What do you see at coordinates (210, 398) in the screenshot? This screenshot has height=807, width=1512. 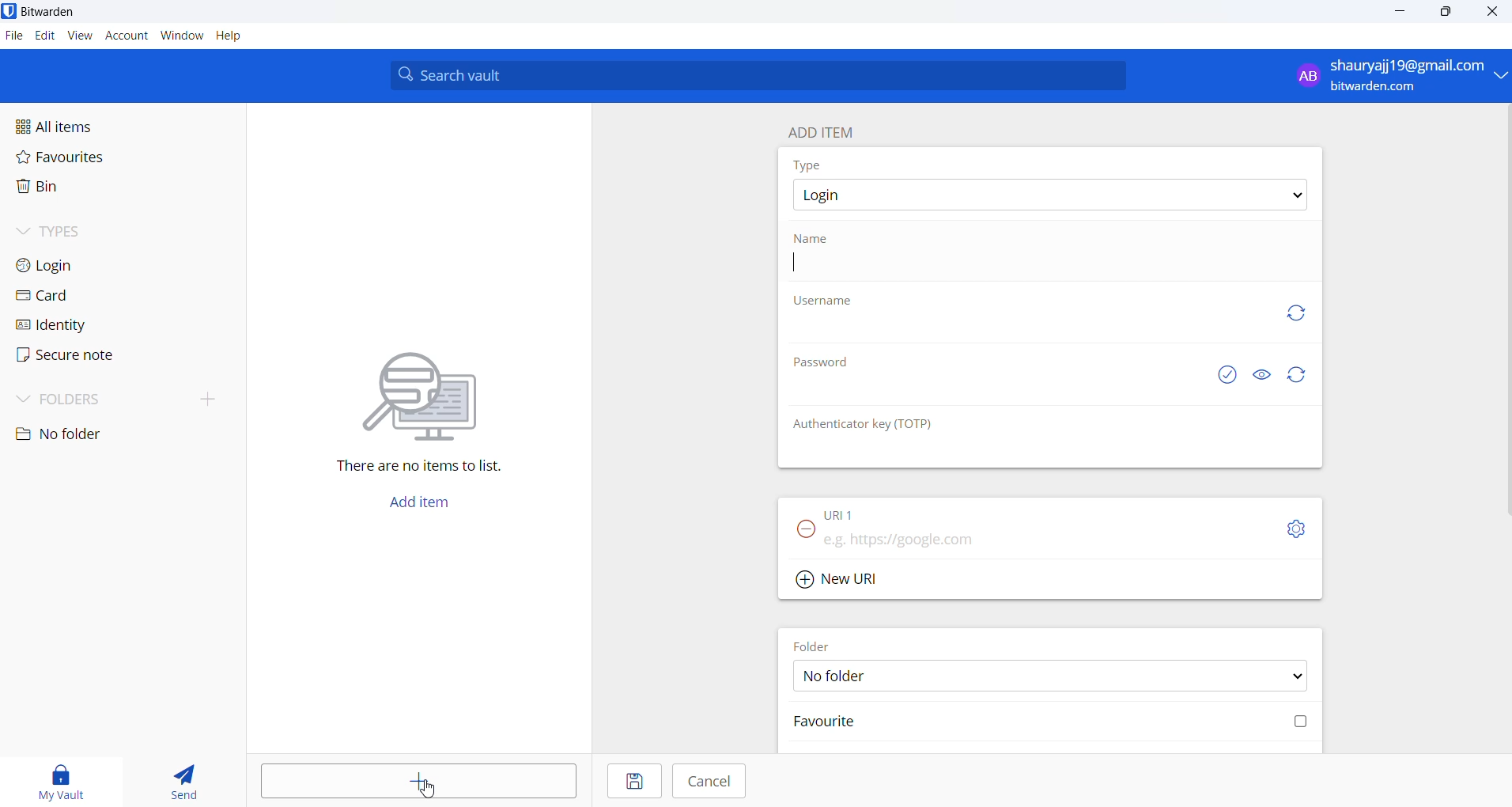 I see `add folder button` at bounding box center [210, 398].